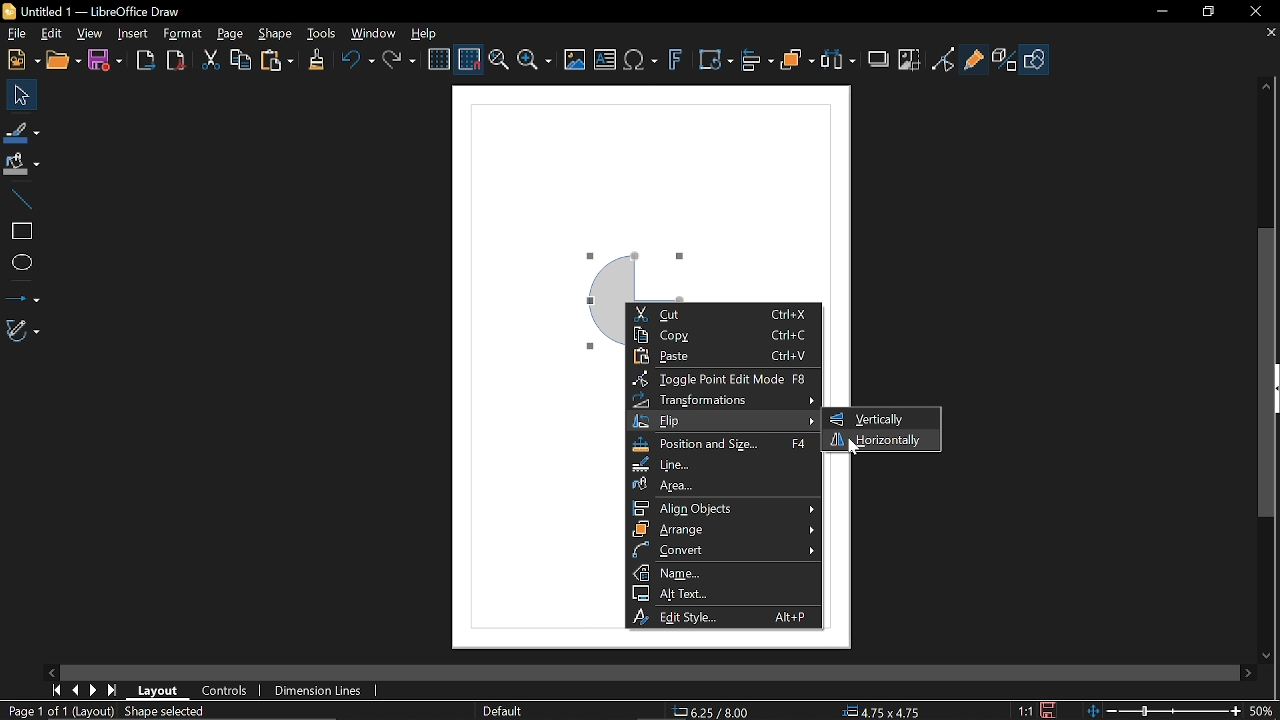 This screenshot has width=1280, height=720. Describe the element at coordinates (88, 34) in the screenshot. I see `View` at that location.